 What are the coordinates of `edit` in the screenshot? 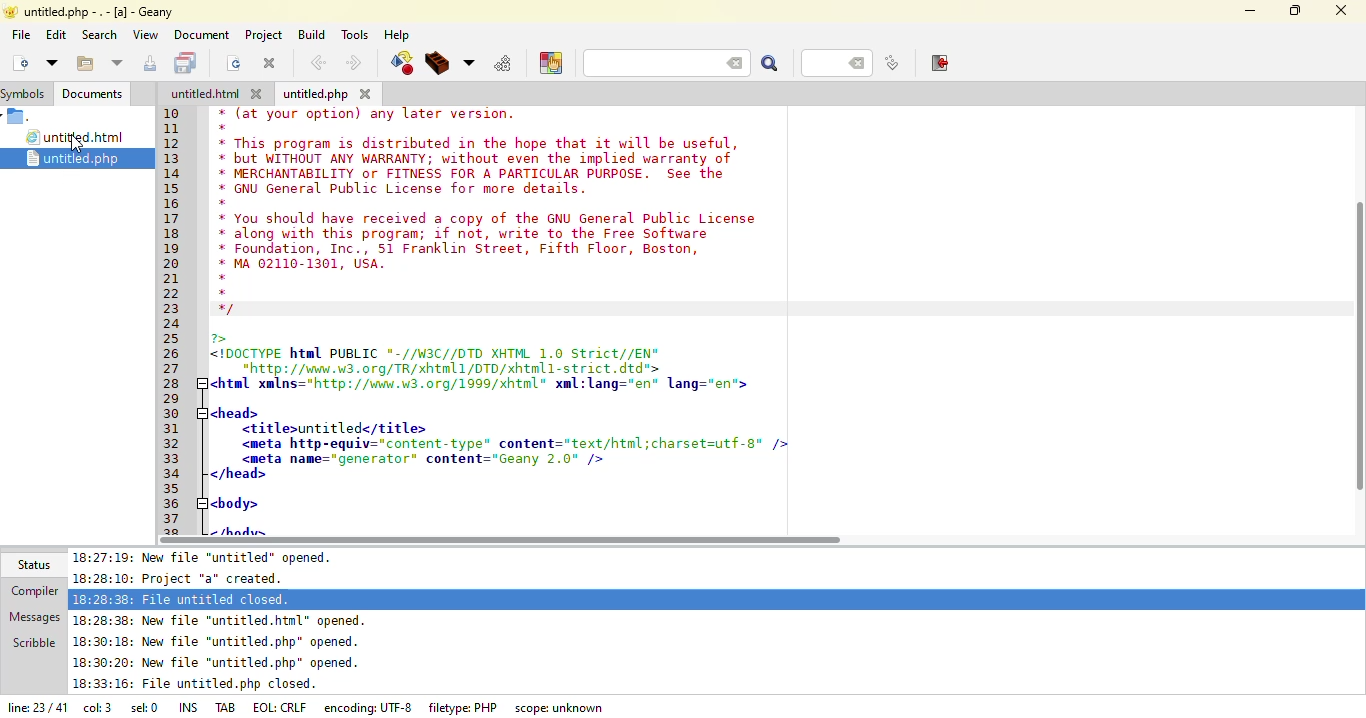 It's located at (57, 36).